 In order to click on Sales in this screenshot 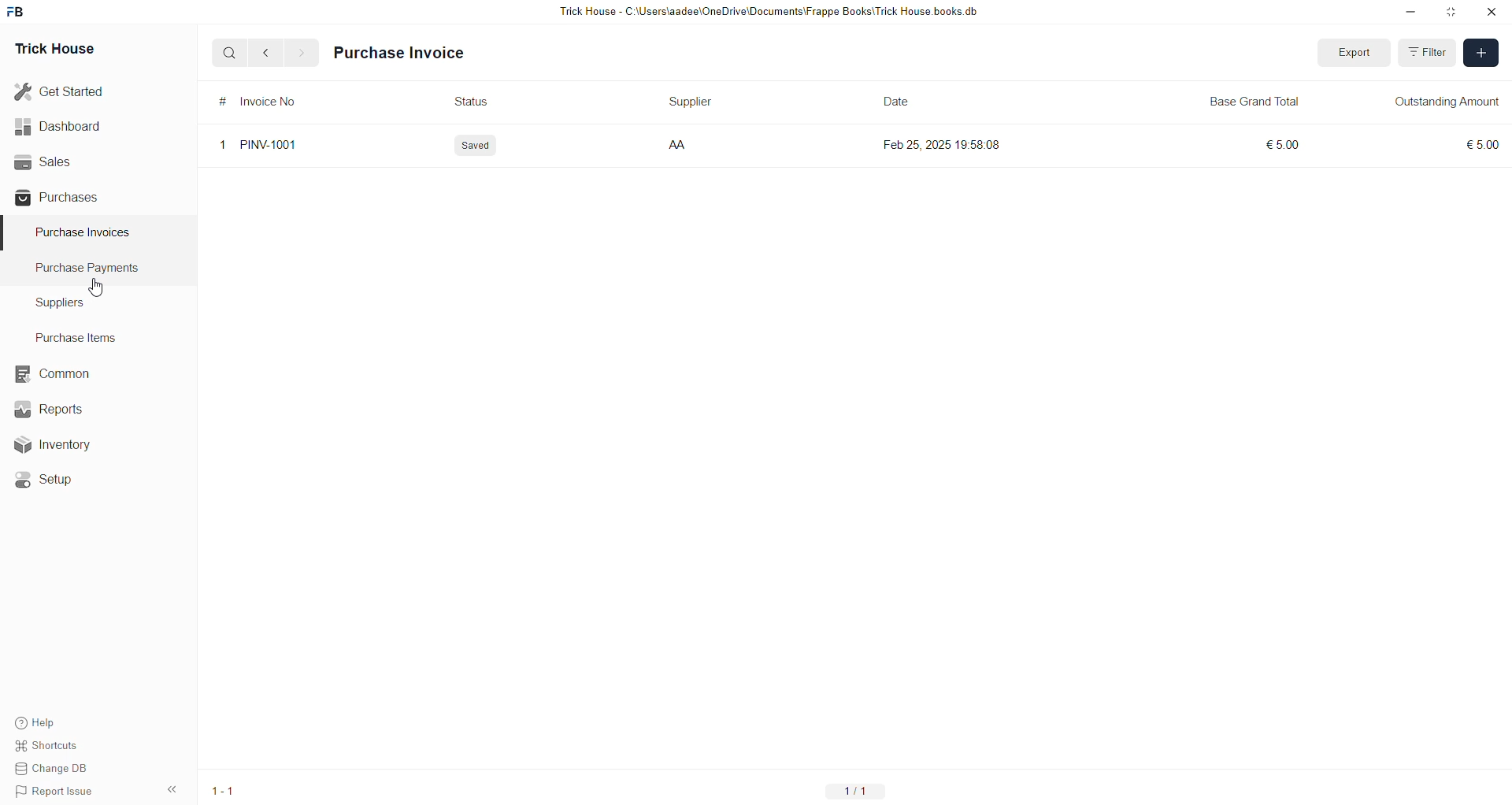, I will do `click(45, 161)`.